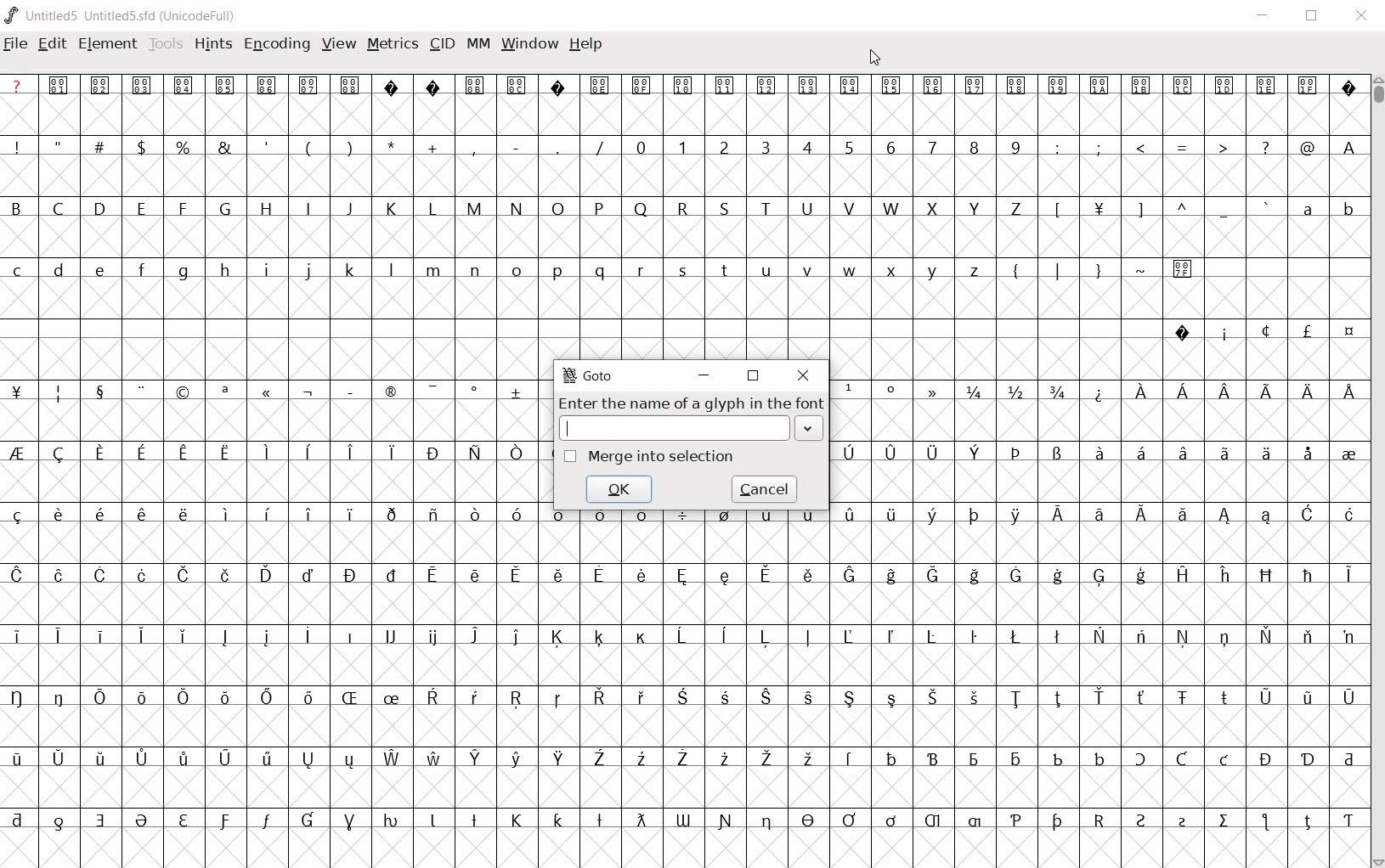  I want to click on z, so click(975, 268).